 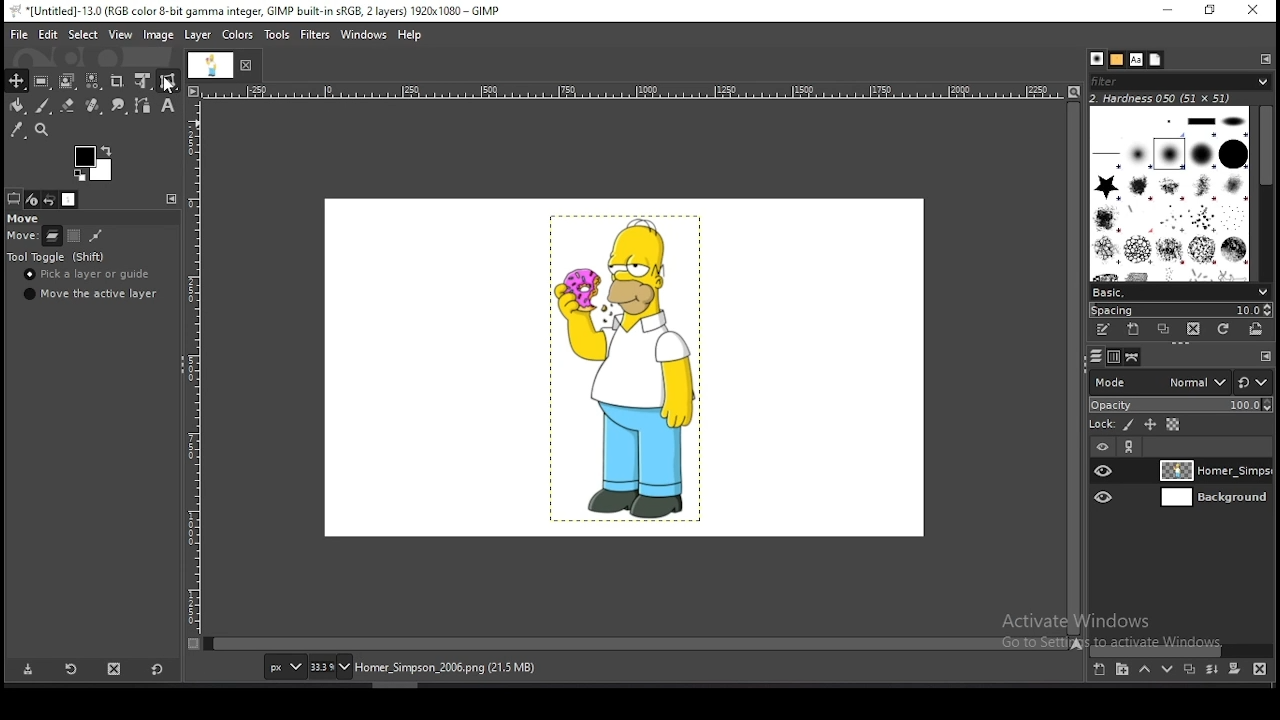 What do you see at coordinates (199, 36) in the screenshot?
I see `layer` at bounding box center [199, 36].